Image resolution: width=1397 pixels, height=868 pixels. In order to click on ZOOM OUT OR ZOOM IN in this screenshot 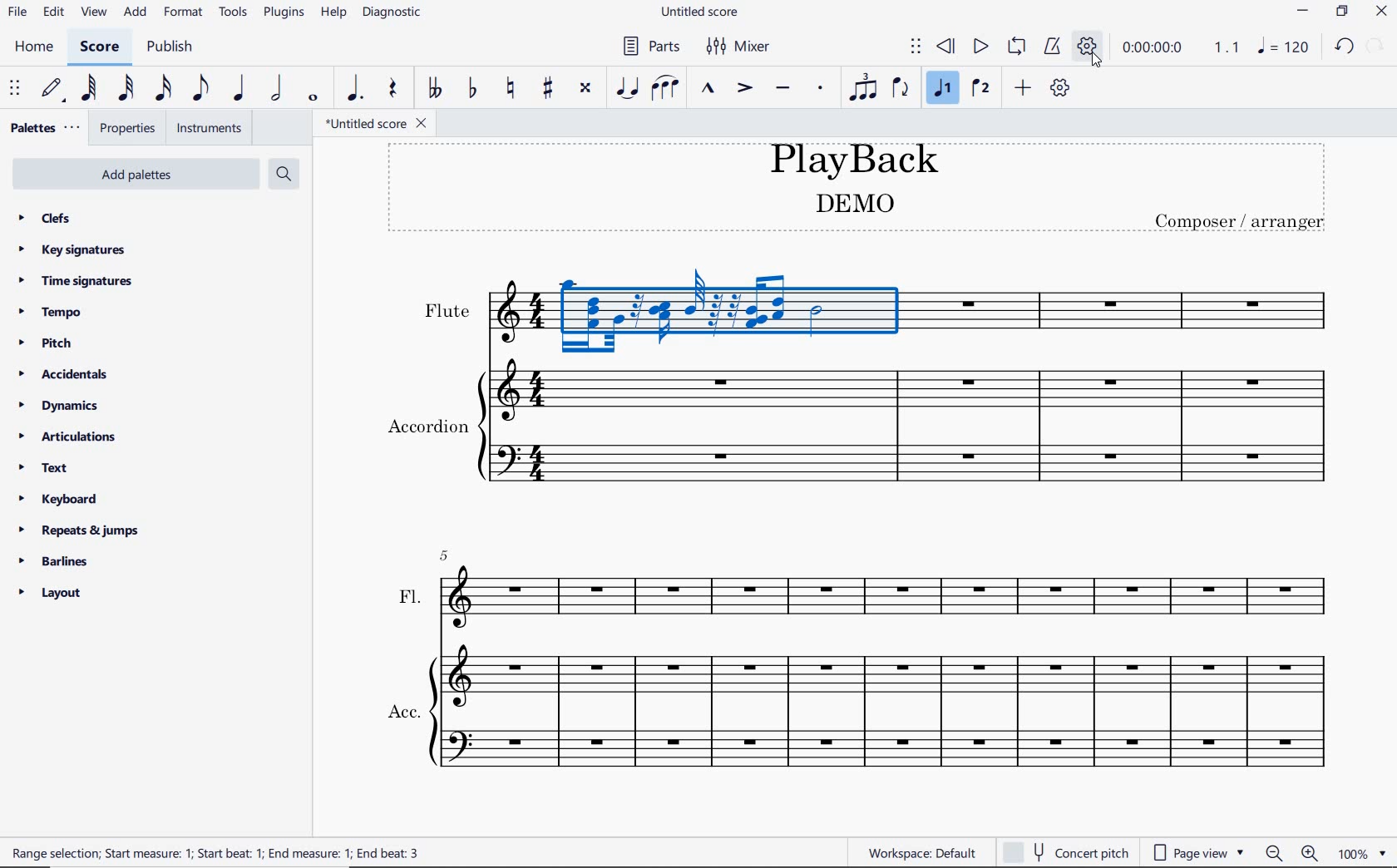, I will do `click(1291, 852)`.